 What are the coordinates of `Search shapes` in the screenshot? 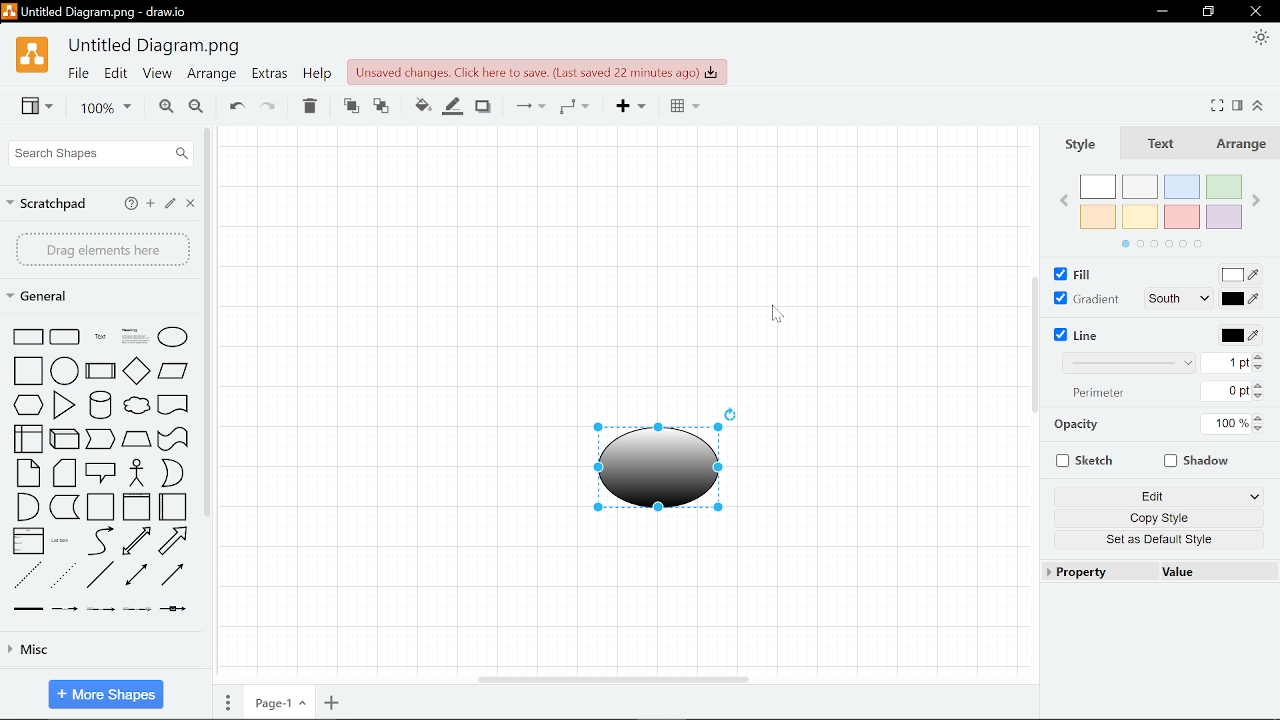 It's located at (103, 153).